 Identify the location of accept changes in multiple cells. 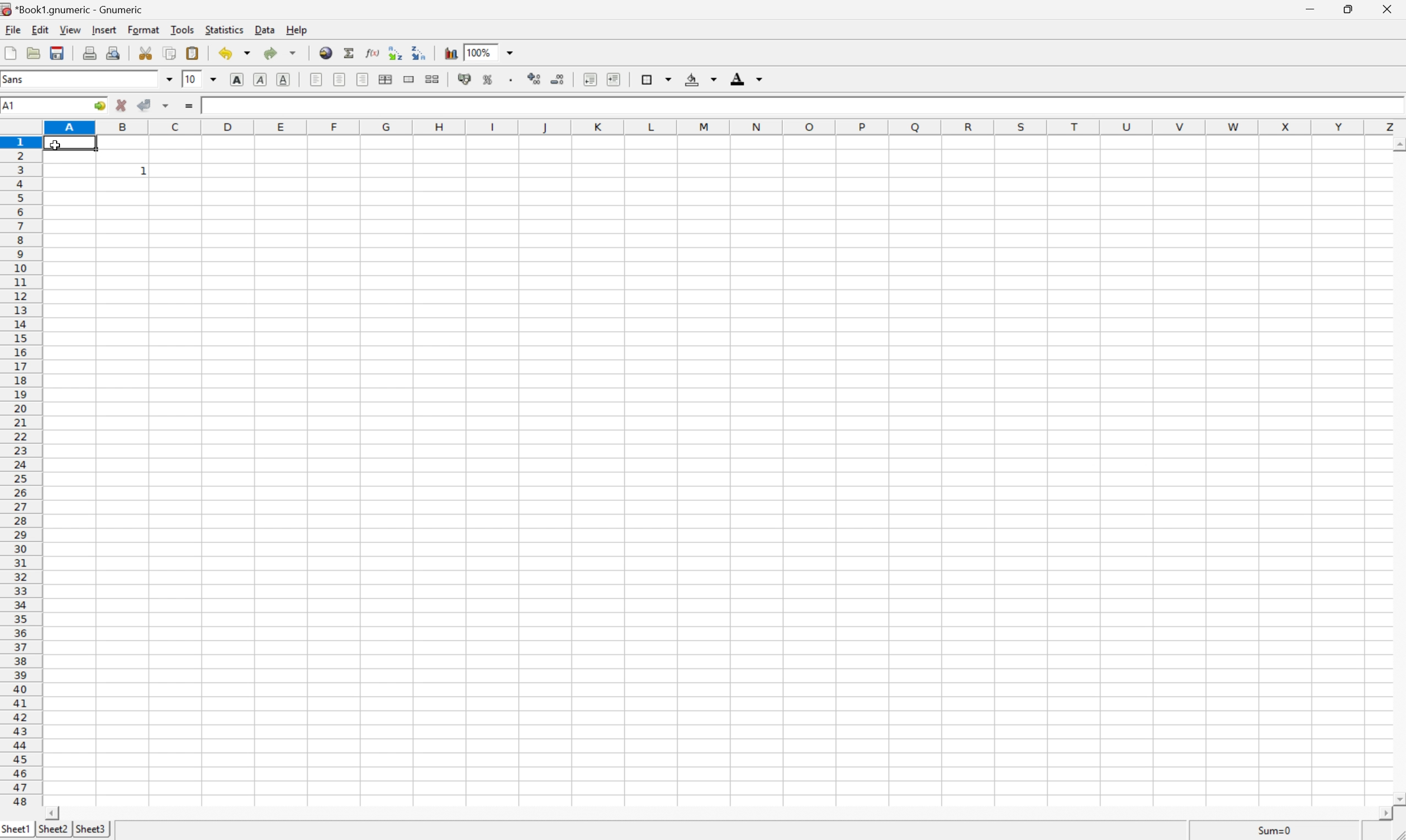
(158, 103).